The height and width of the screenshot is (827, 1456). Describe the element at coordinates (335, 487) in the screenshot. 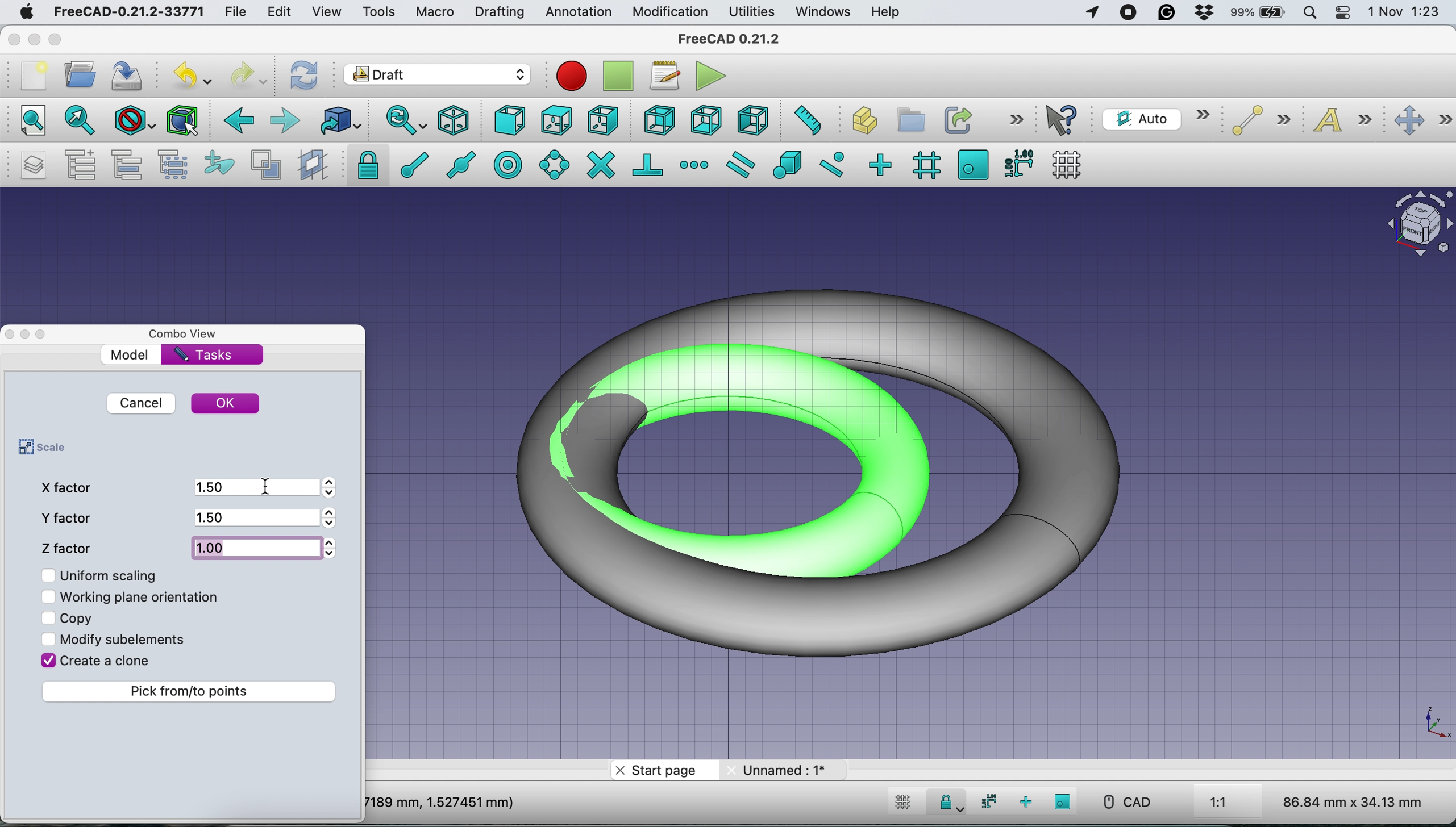

I see `Arrows` at that location.